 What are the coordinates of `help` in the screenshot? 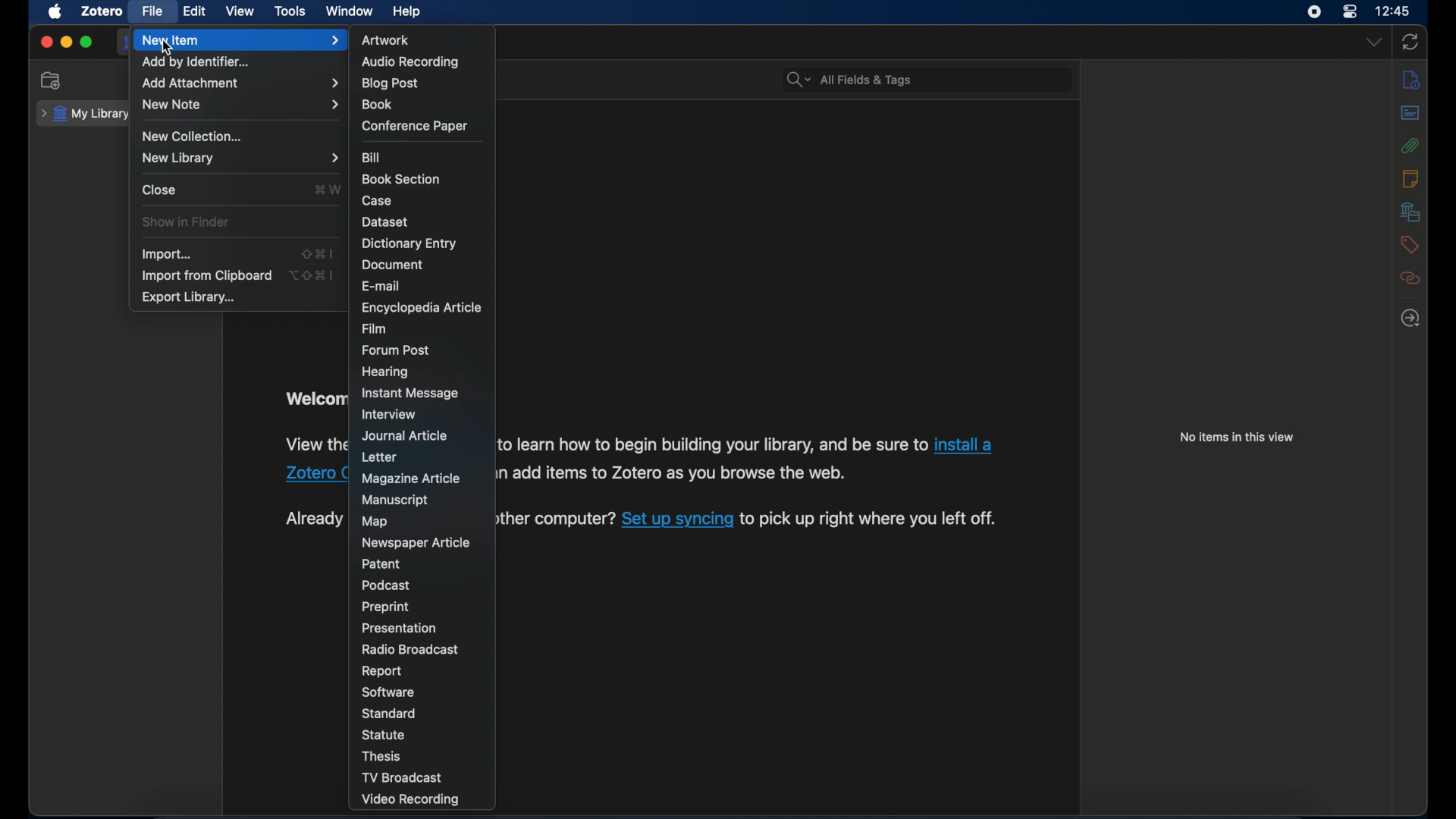 It's located at (408, 12).